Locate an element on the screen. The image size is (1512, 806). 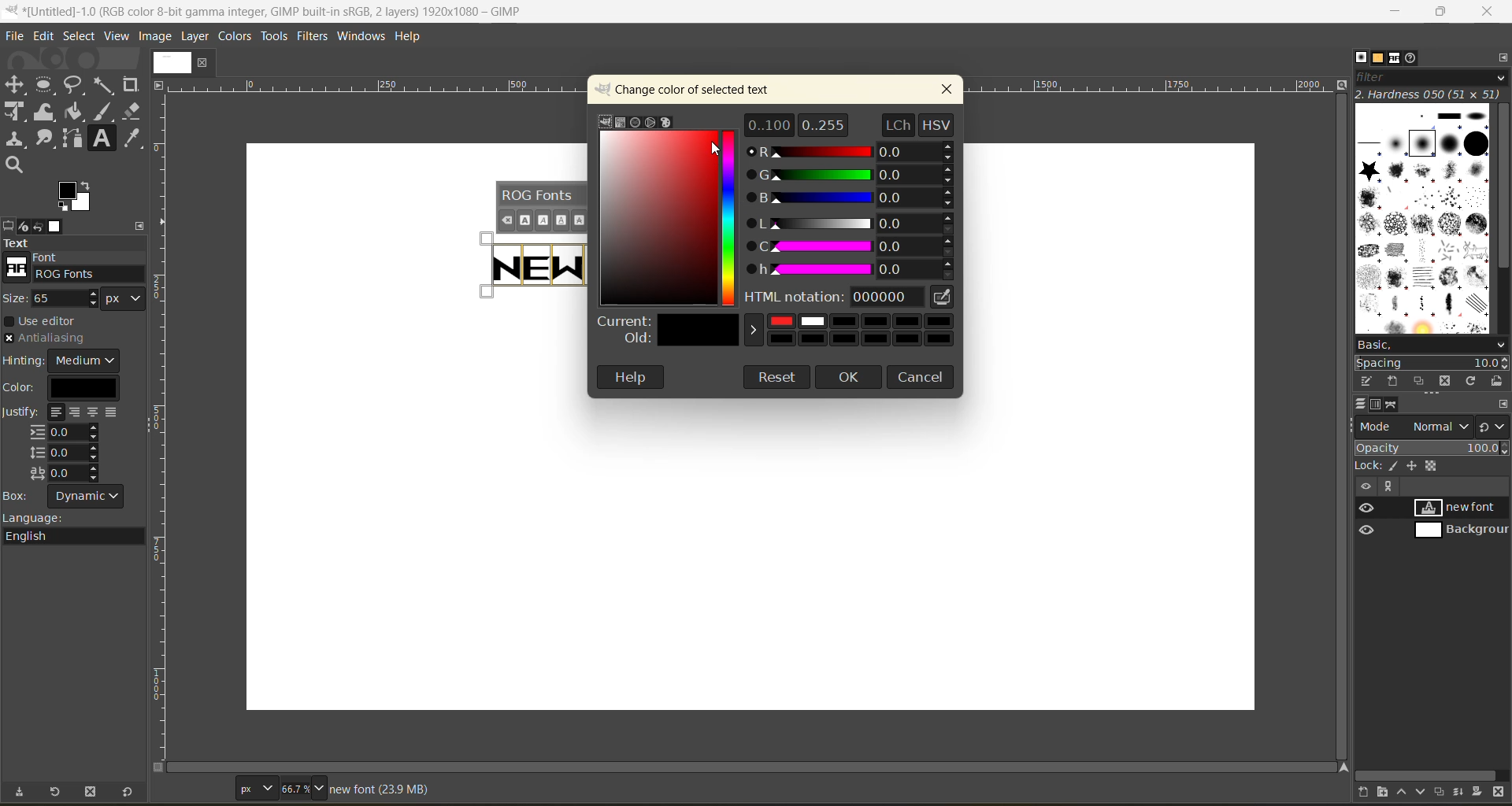
close is located at coordinates (203, 63).